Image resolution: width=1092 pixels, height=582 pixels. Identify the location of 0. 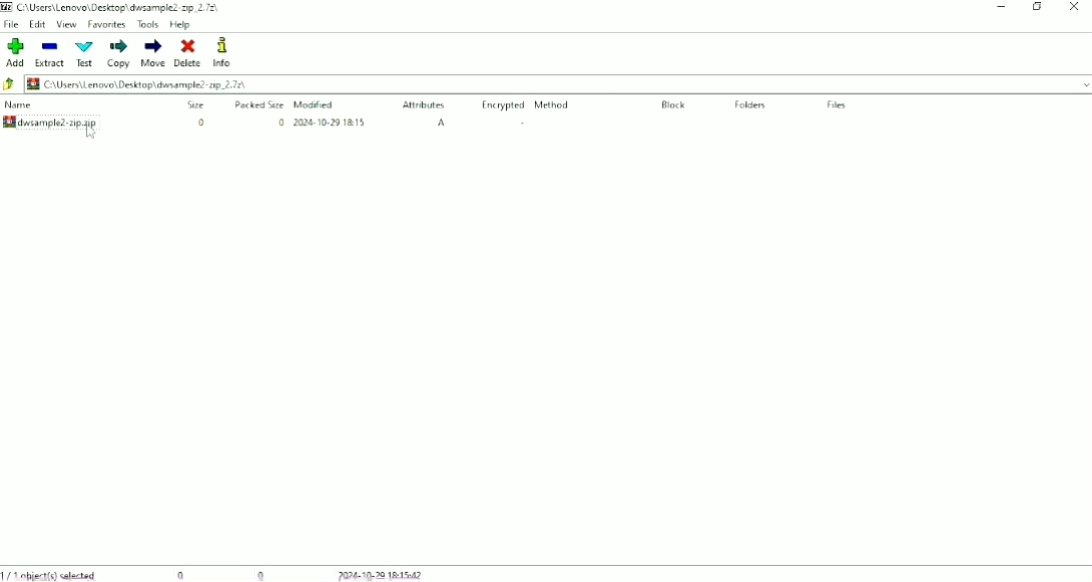
(199, 122).